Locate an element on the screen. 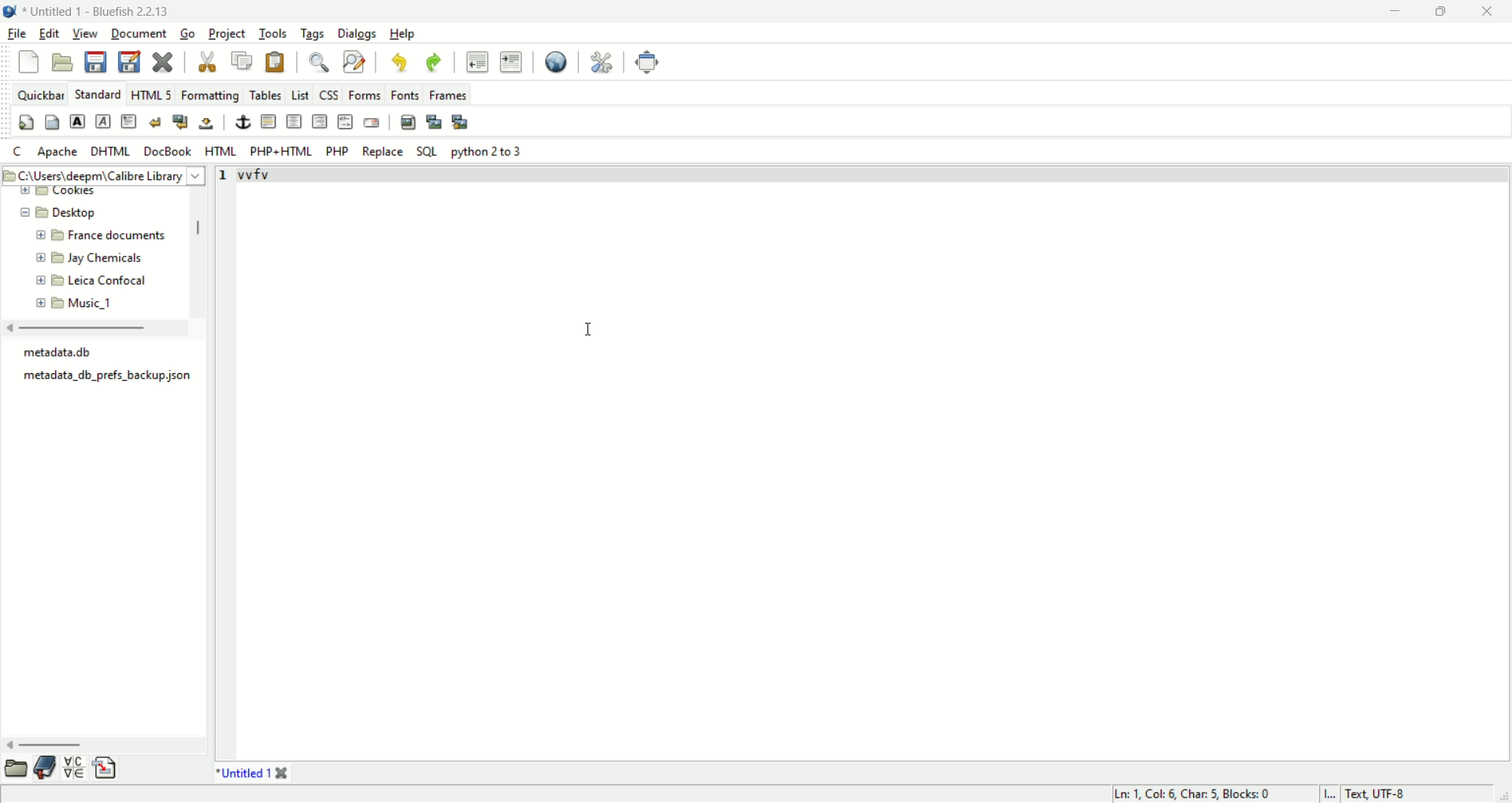 The image size is (1512, 803). edit preferences is located at coordinates (601, 61).